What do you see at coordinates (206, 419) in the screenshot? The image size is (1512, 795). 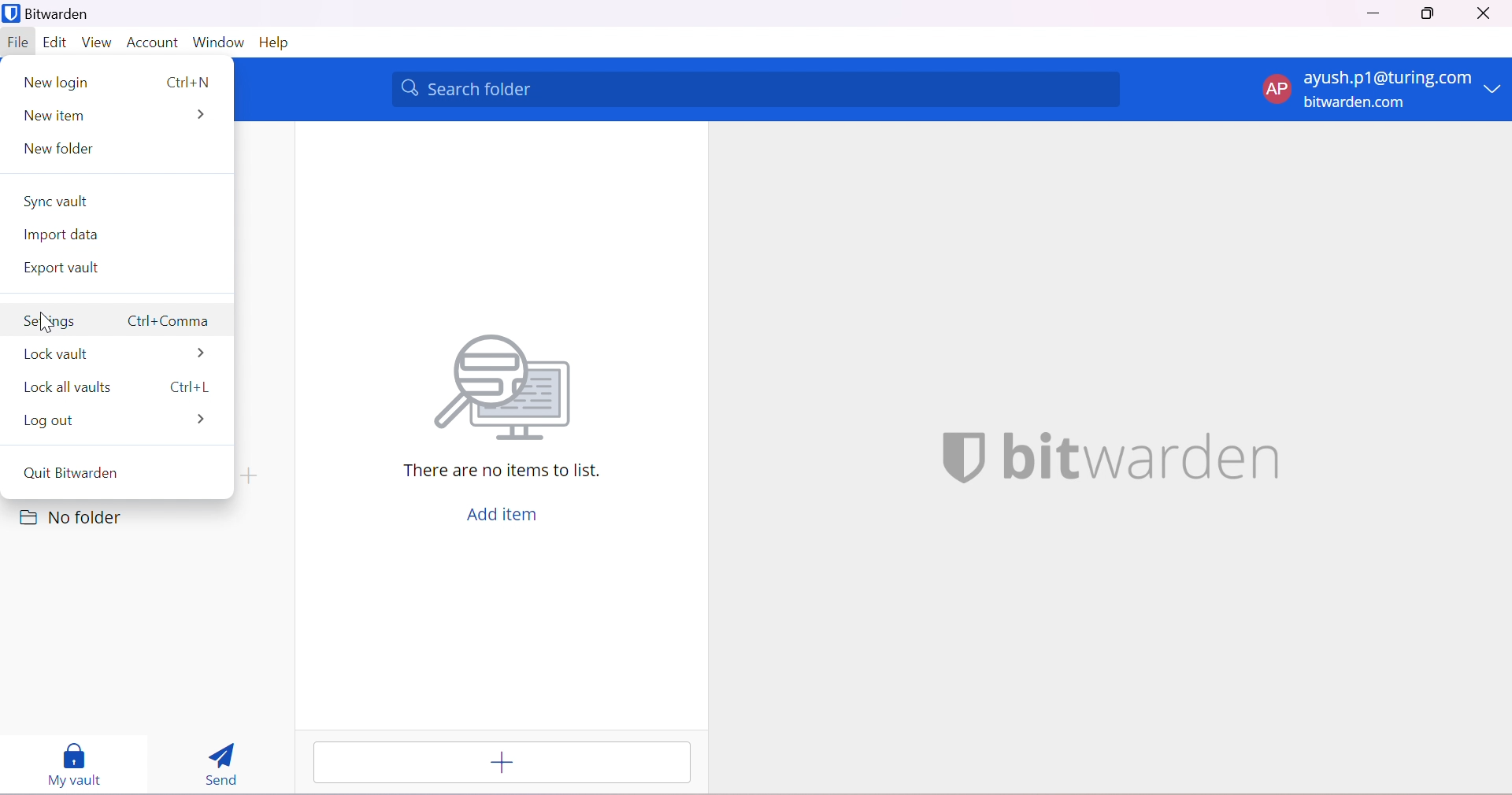 I see `More` at bounding box center [206, 419].